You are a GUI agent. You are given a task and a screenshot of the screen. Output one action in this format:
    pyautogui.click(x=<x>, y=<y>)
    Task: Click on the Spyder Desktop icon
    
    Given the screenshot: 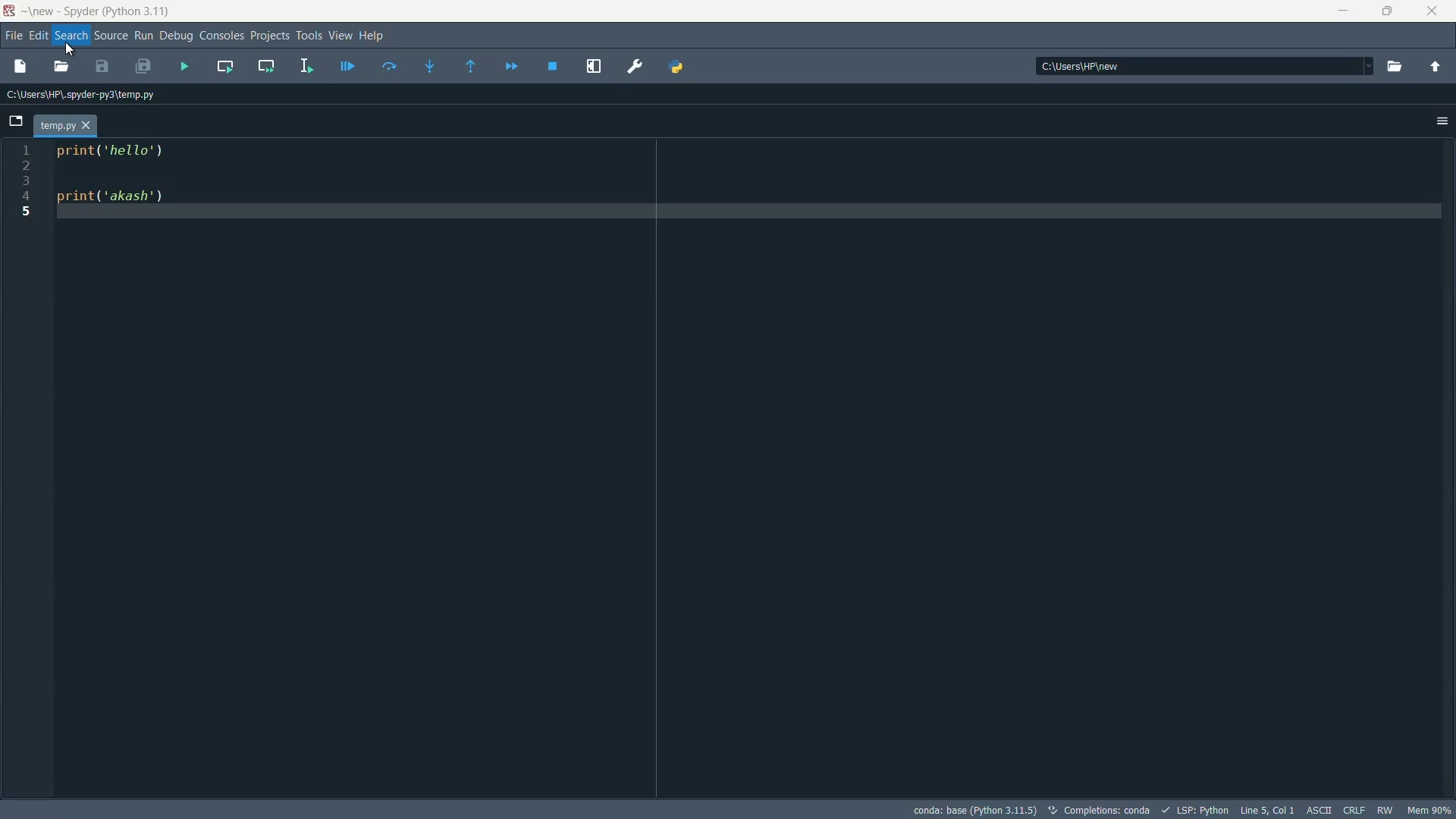 What is the action you would take?
    pyautogui.click(x=11, y=11)
    